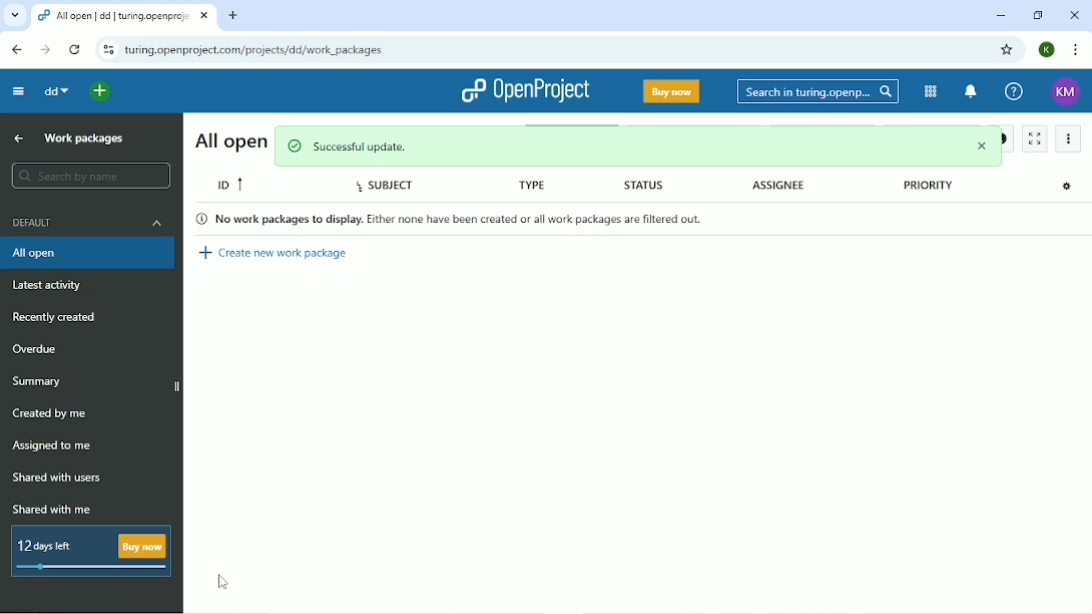 The width and height of the screenshot is (1092, 614). I want to click on Default, so click(89, 223).